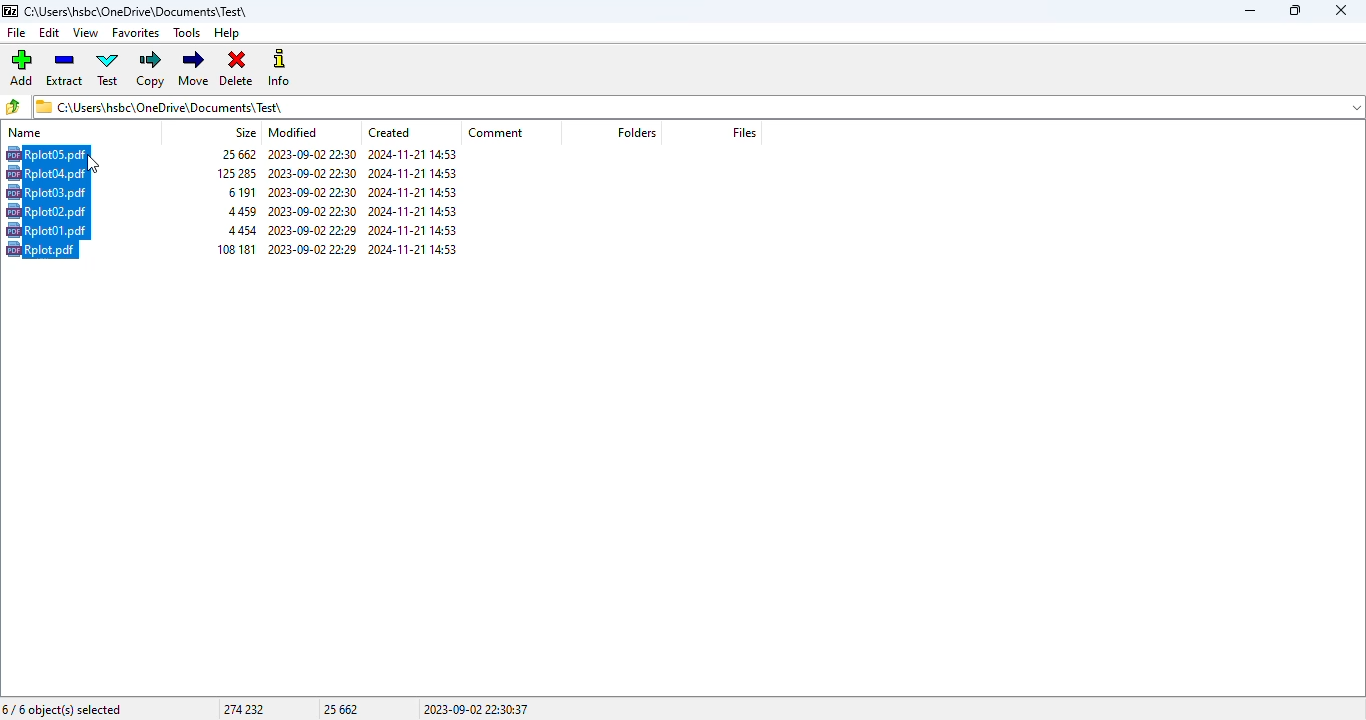 Image resolution: width=1366 pixels, height=720 pixels. What do you see at coordinates (50, 33) in the screenshot?
I see `edit` at bounding box center [50, 33].